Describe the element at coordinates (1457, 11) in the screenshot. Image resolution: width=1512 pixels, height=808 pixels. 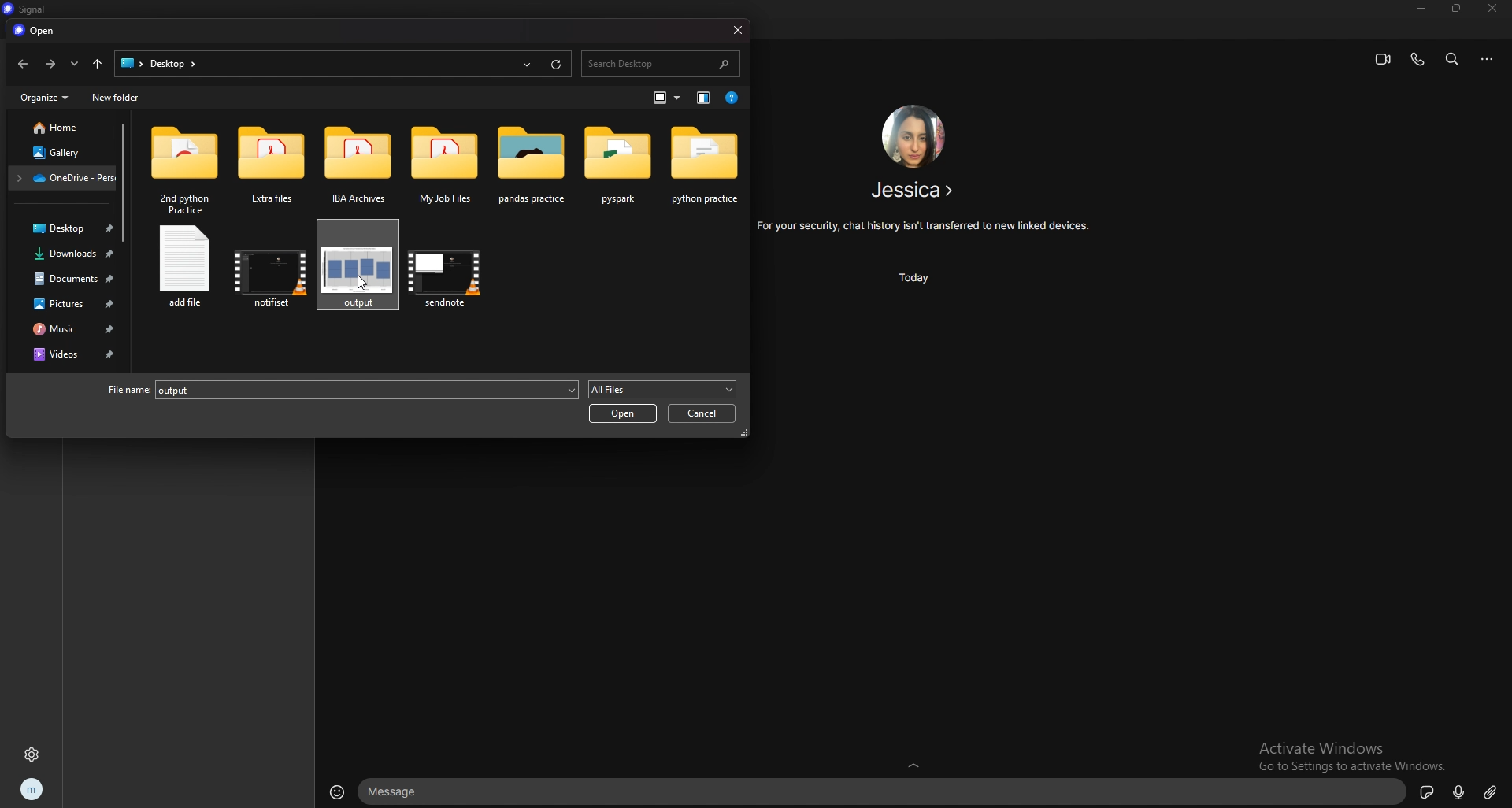
I see `resize` at that location.